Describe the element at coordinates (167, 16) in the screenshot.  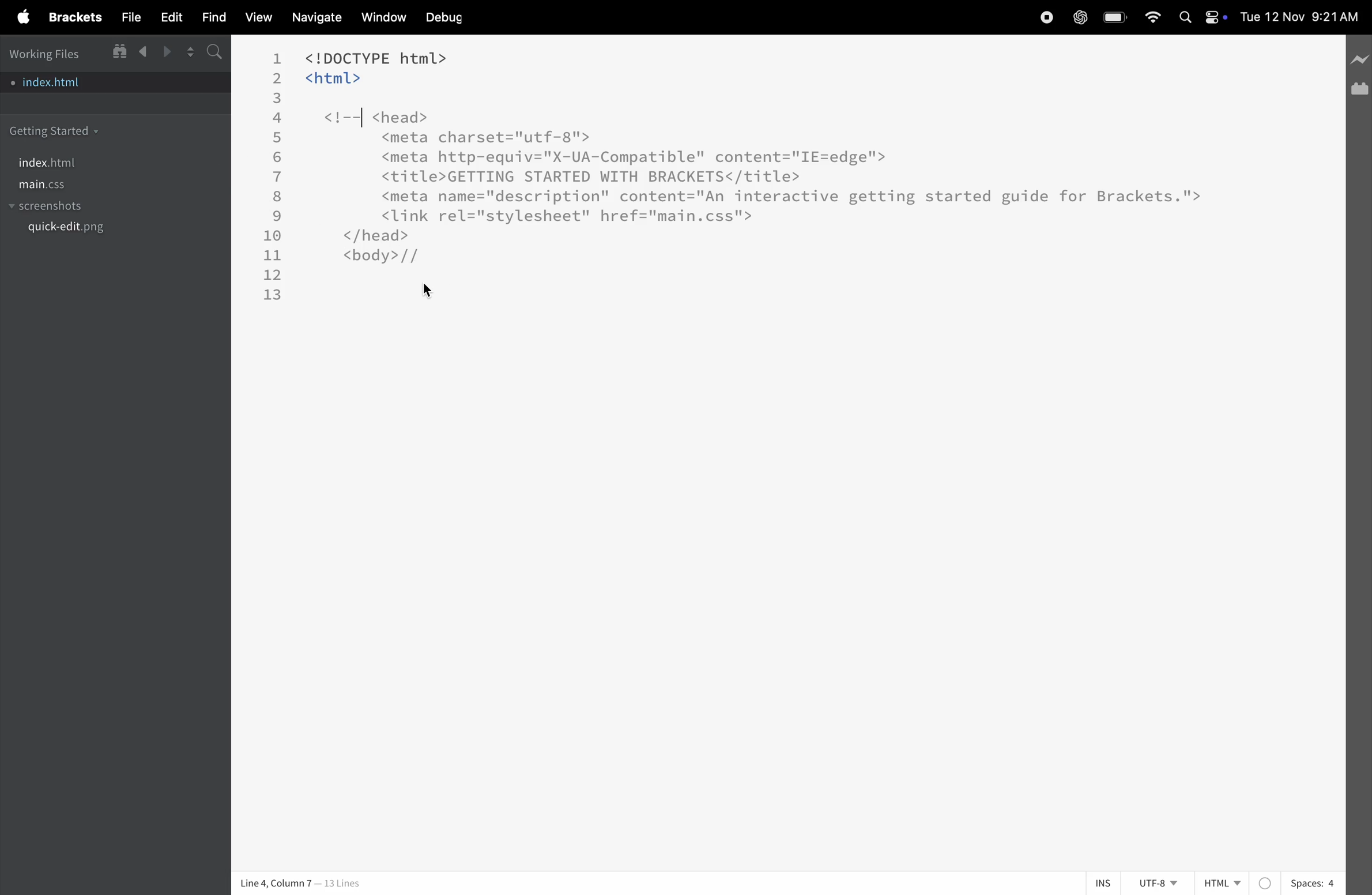
I see `edit` at that location.